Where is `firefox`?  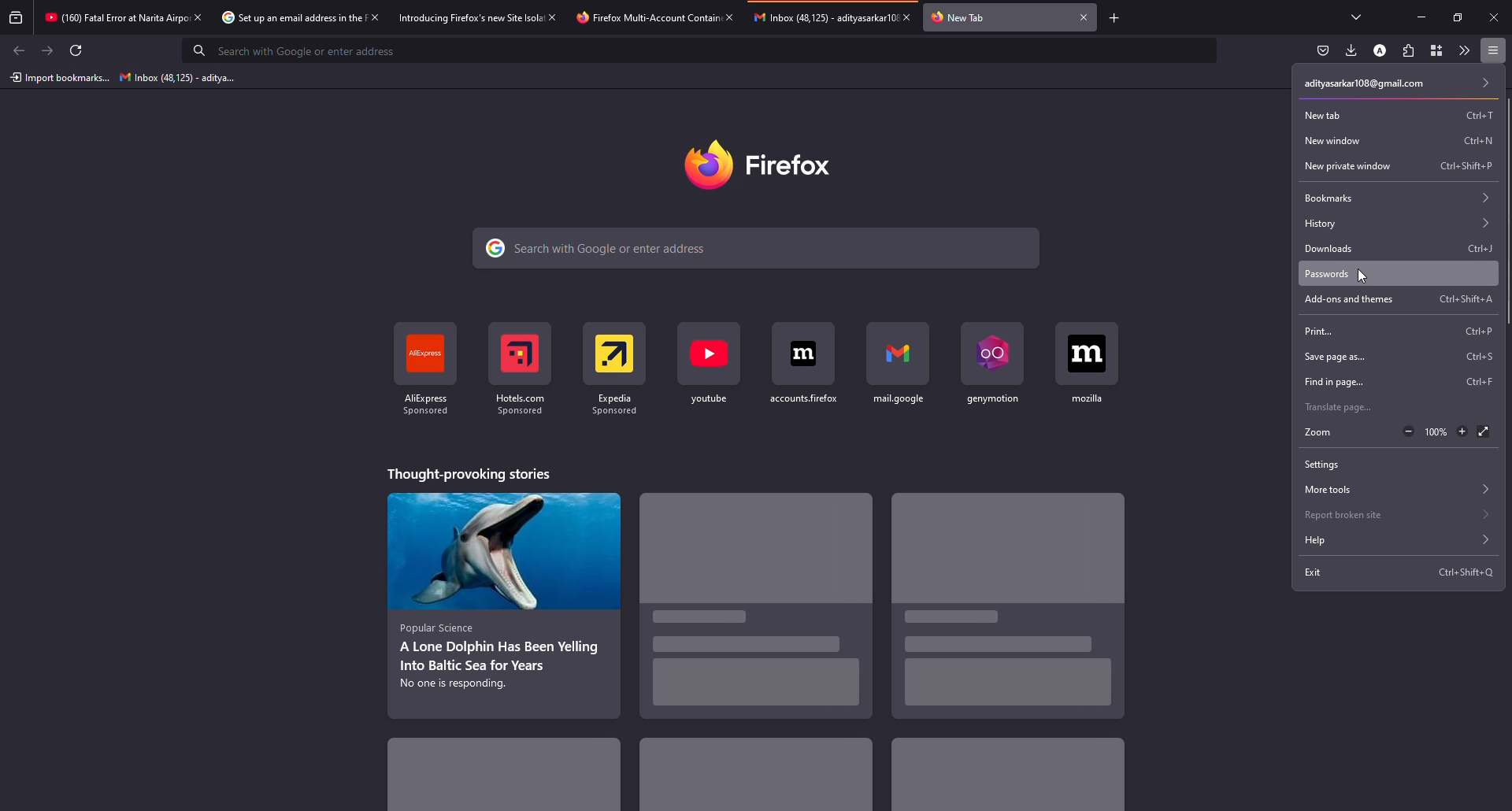
firefox is located at coordinates (762, 162).